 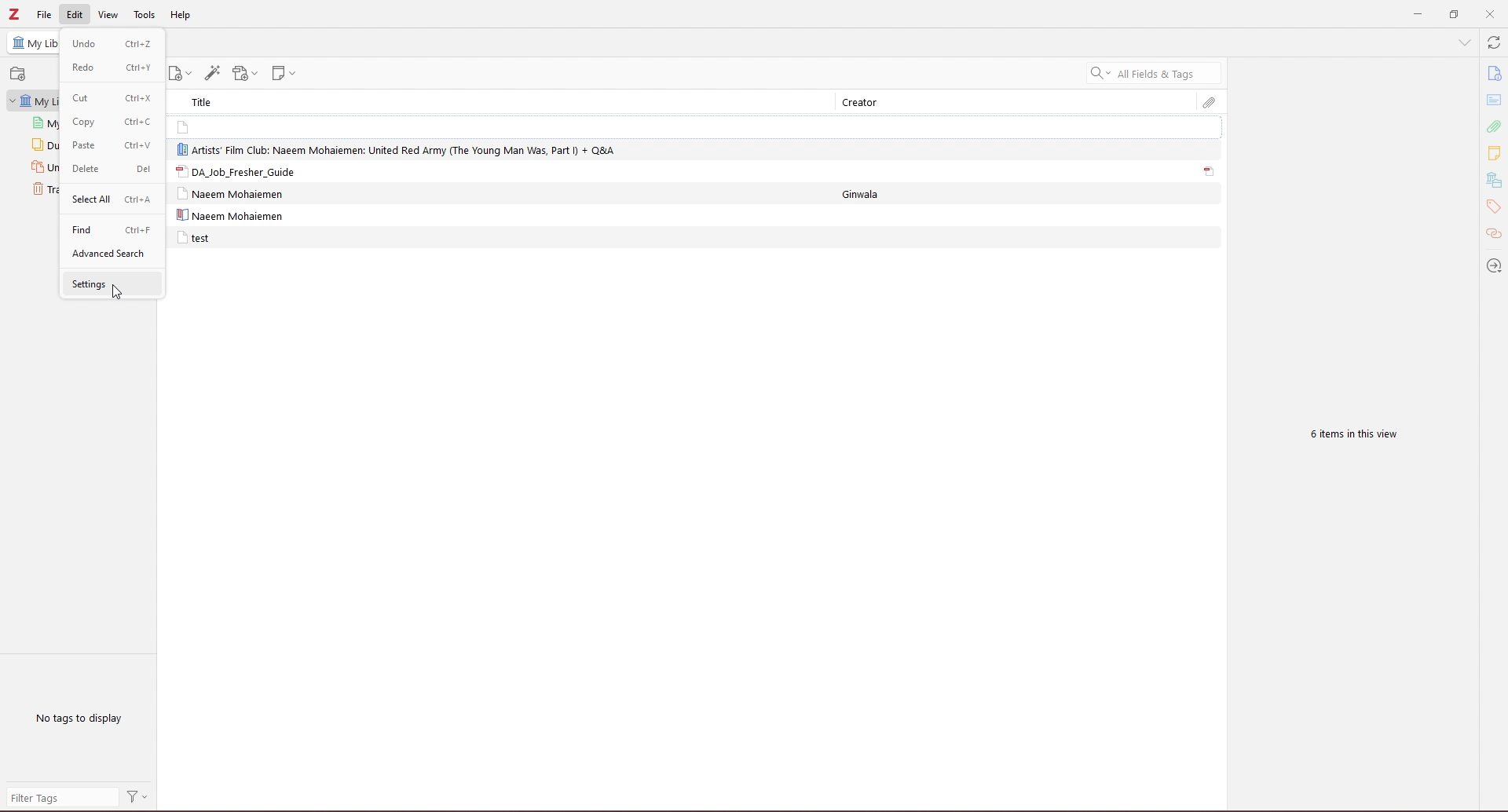 What do you see at coordinates (229, 216) in the screenshot?
I see `Naeem Mohaiemen` at bounding box center [229, 216].